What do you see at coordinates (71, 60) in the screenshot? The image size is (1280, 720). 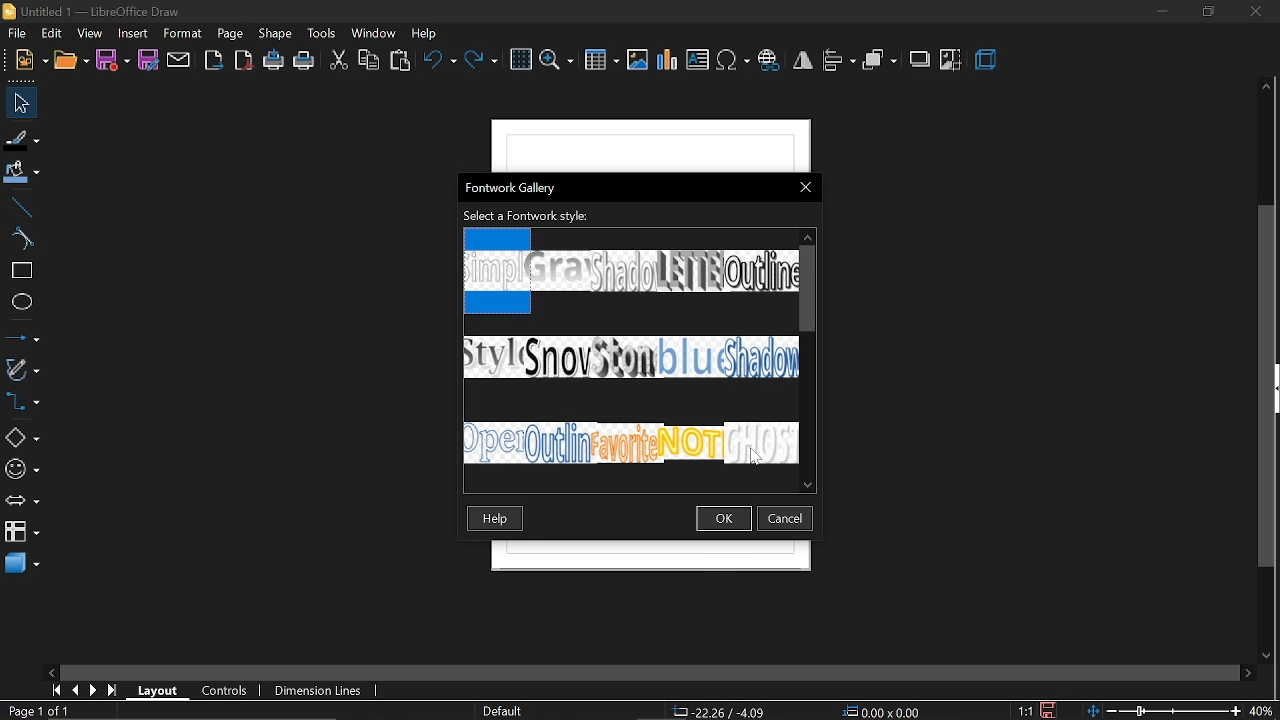 I see `open` at bounding box center [71, 60].